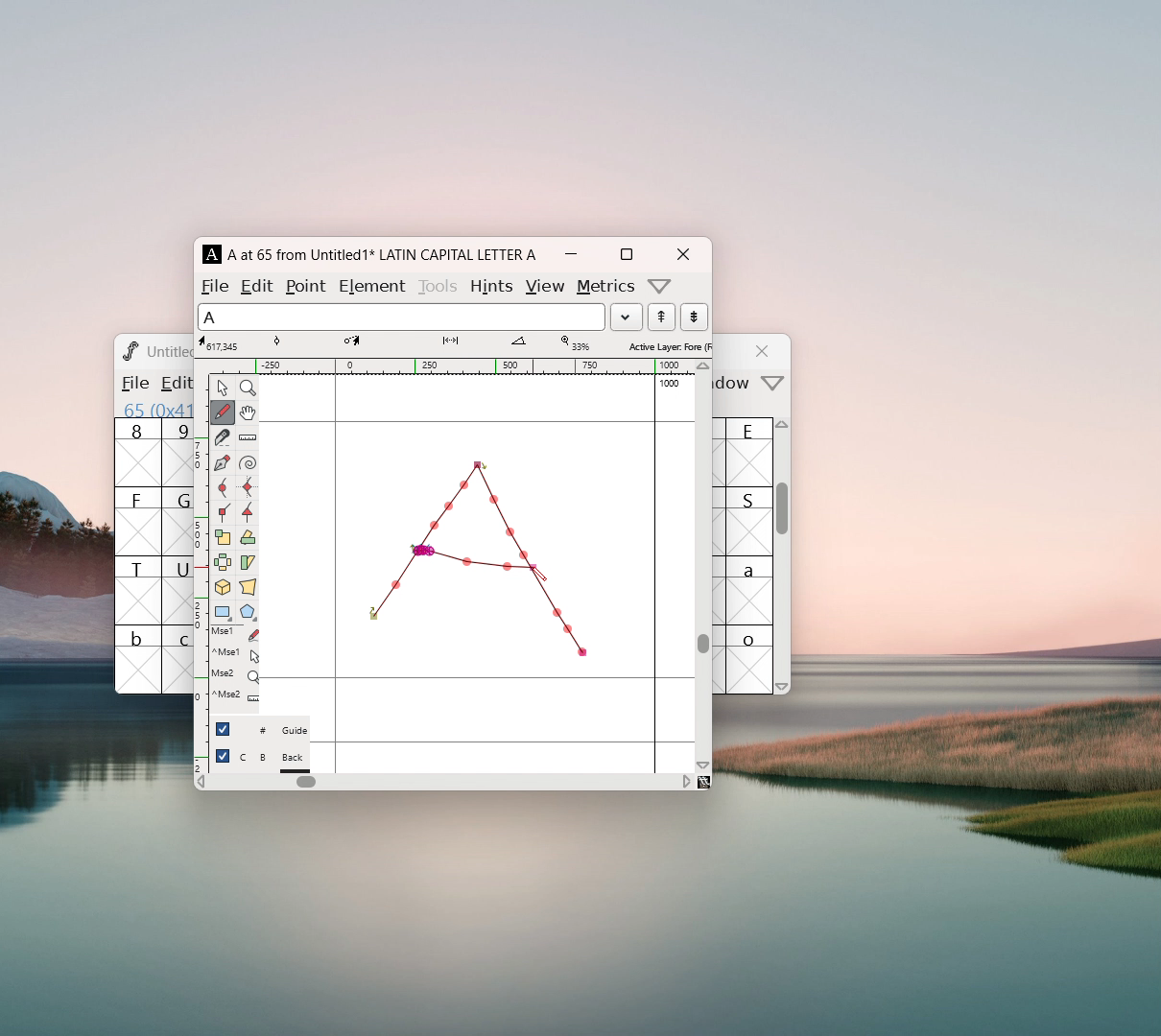 The width and height of the screenshot is (1161, 1036). What do you see at coordinates (222, 464) in the screenshot?
I see `add a point then drag out its conttrol points` at bounding box center [222, 464].